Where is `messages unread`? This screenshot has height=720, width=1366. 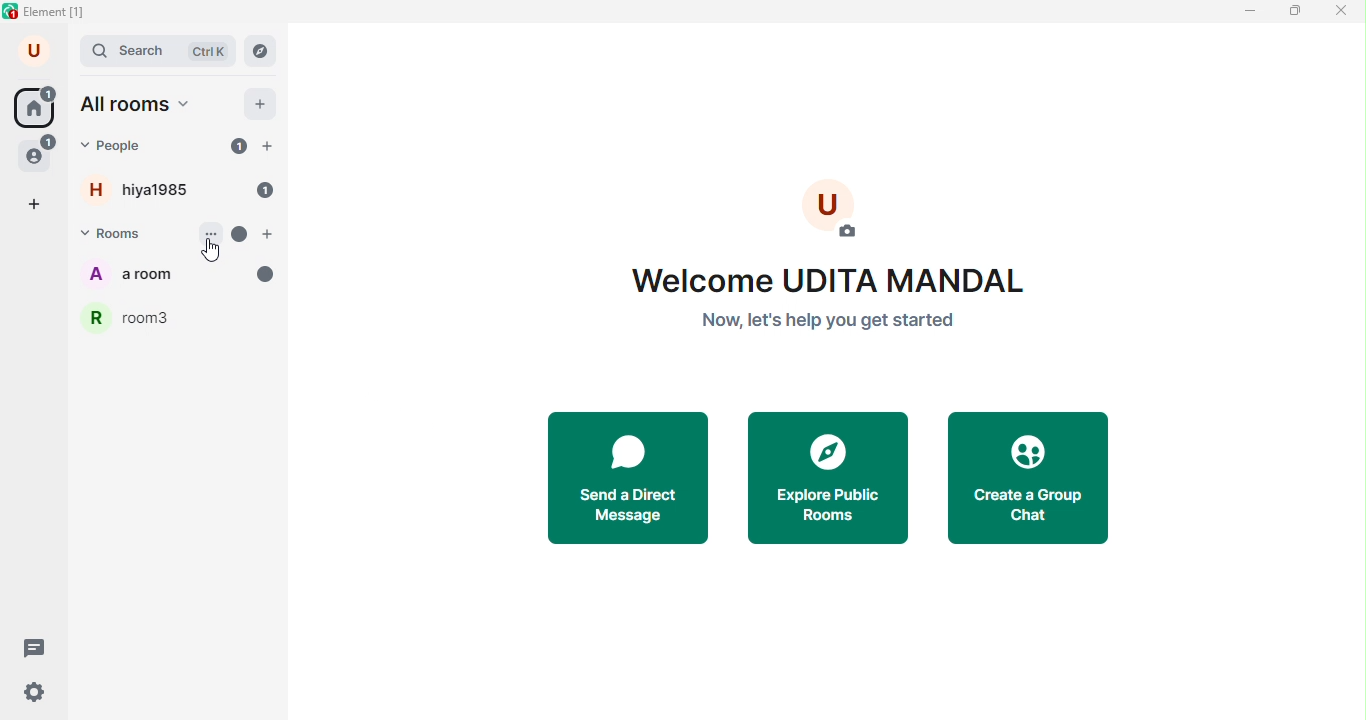
messages unread is located at coordinates (262, 274).